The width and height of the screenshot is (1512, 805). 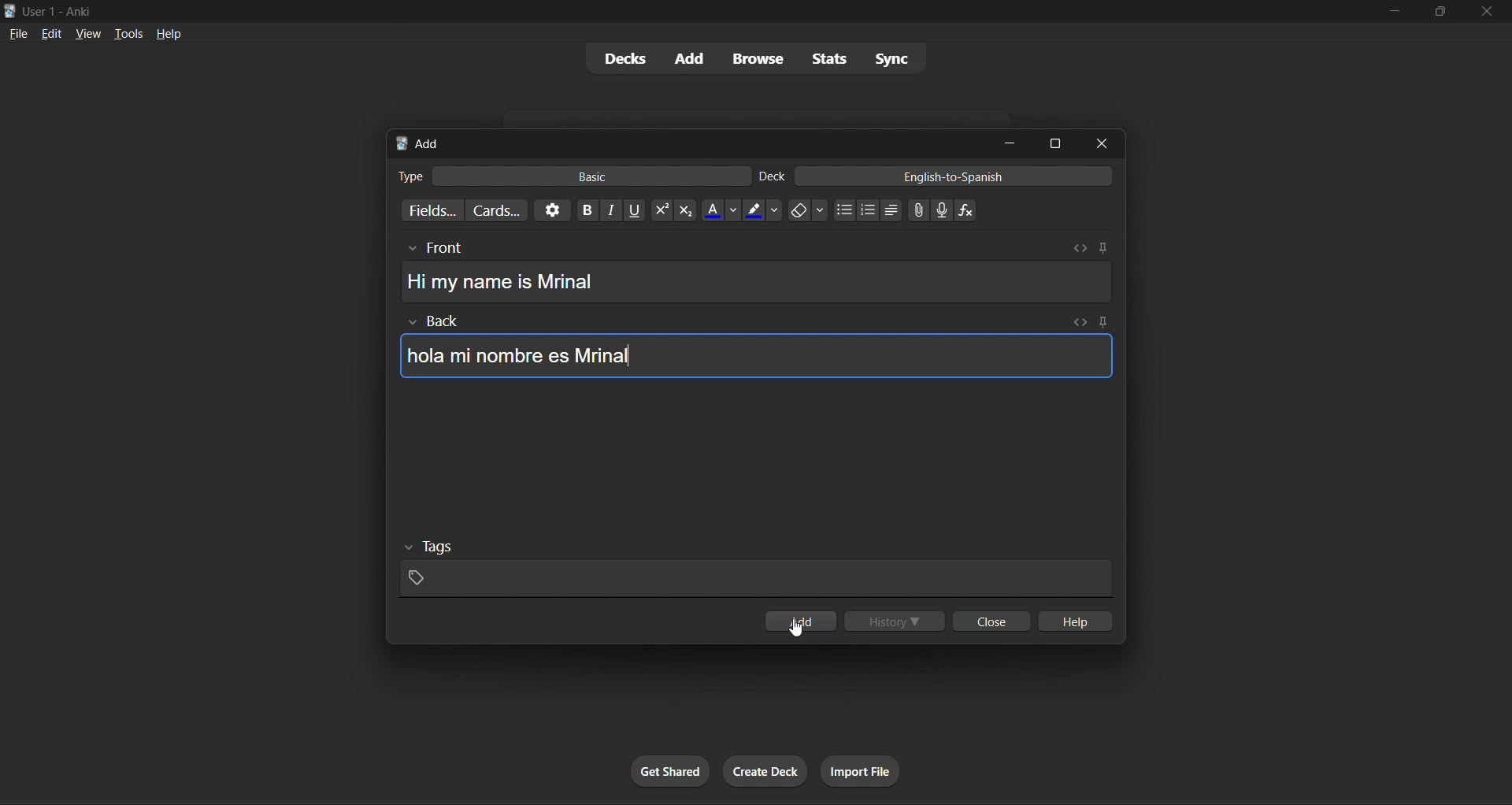 What do you see at coordinates (165, 31) in the screenshot?
I see `help` at bounding box center [165, 31].